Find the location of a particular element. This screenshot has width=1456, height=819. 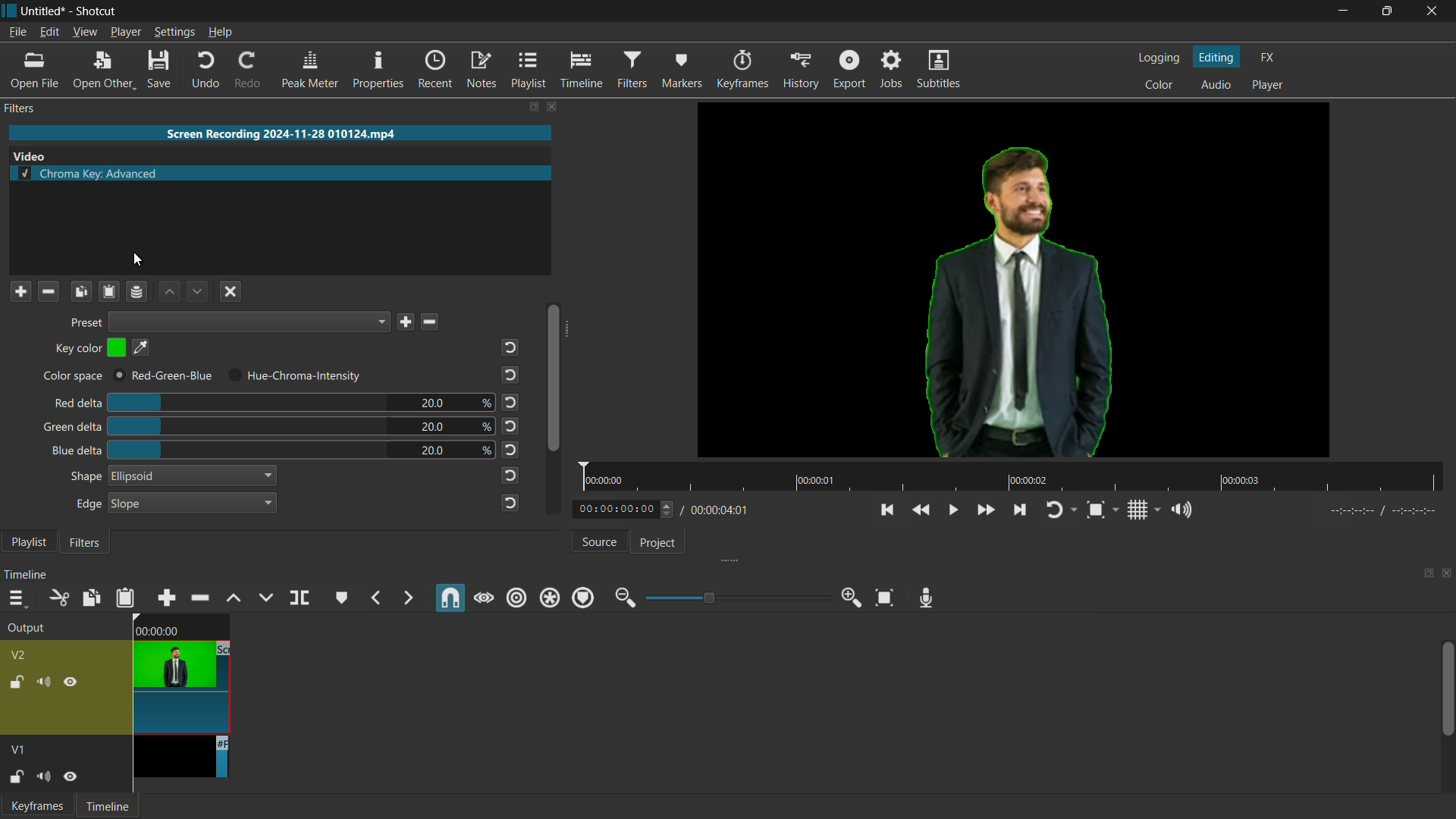

playlist is located at coordinates (527, 71).